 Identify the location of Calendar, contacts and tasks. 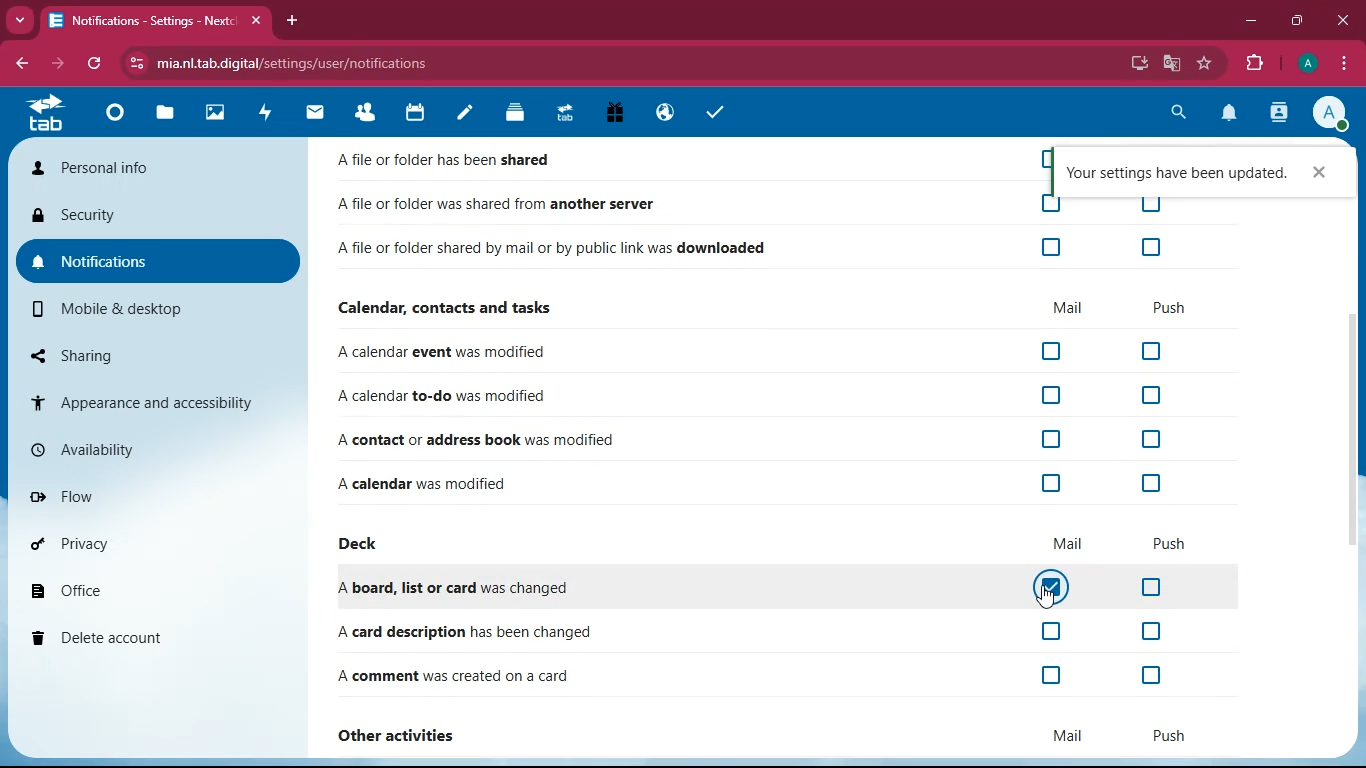
(457, 304).